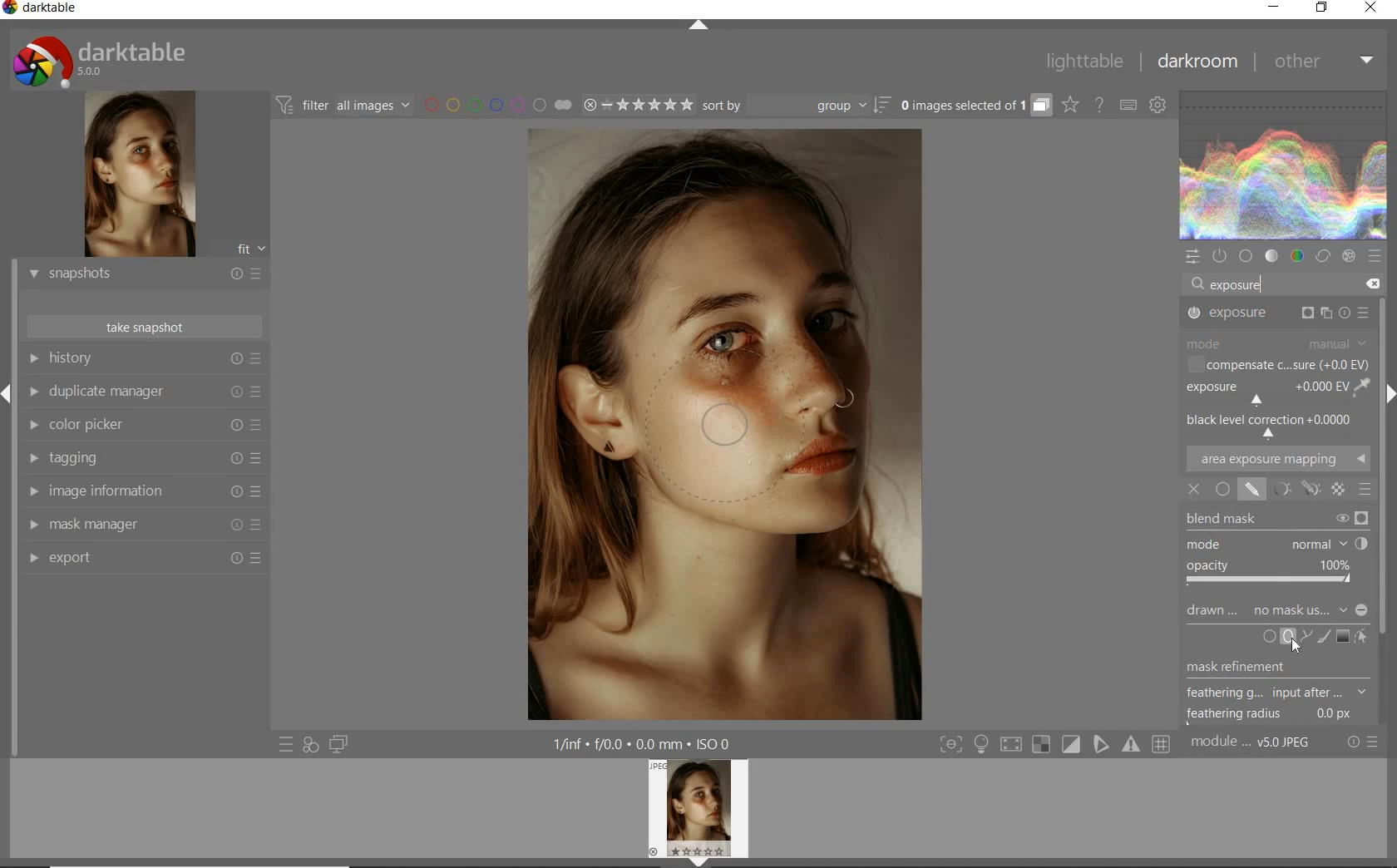 Image resolution: width=1397 pixels, height=868 pixels. Describe the element at coordinates (1276, 364) in the screenshot. I see `COMPENSATE C...SURE` at that location.